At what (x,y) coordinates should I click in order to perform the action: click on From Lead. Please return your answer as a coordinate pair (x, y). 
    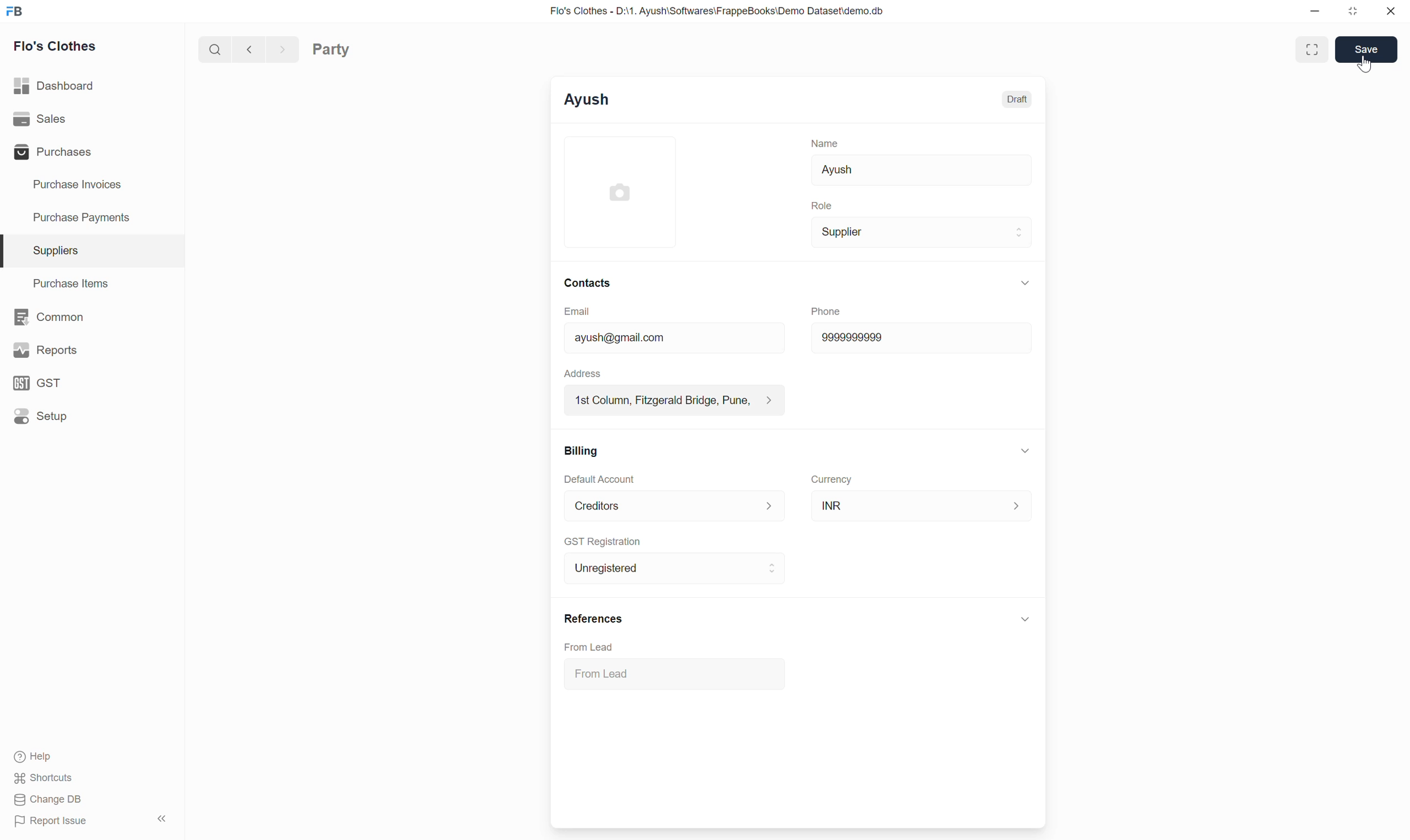
    Looking at the image, I should click on (676, 674).